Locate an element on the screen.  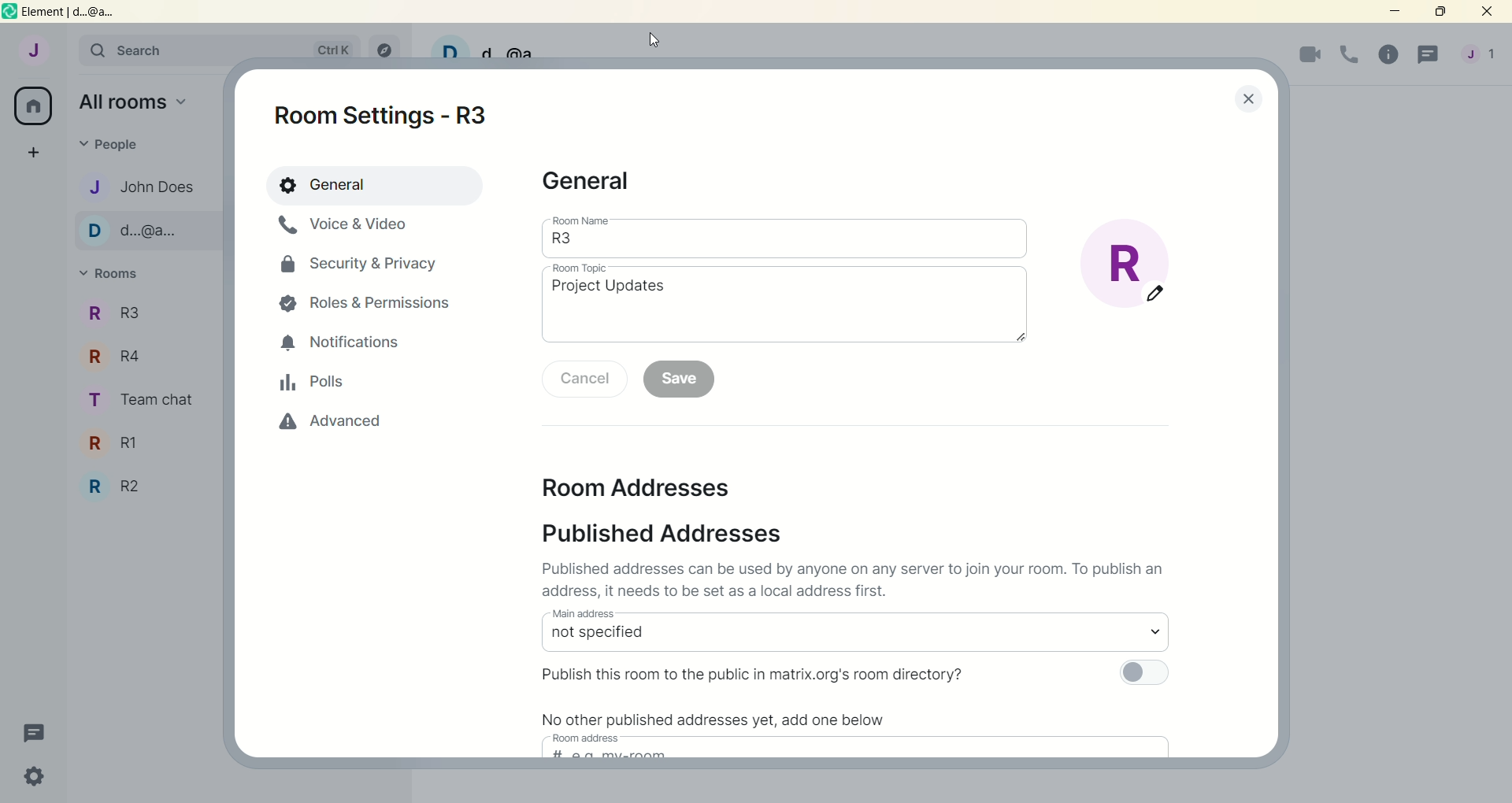
R3 is located at coordinates (143, 442).